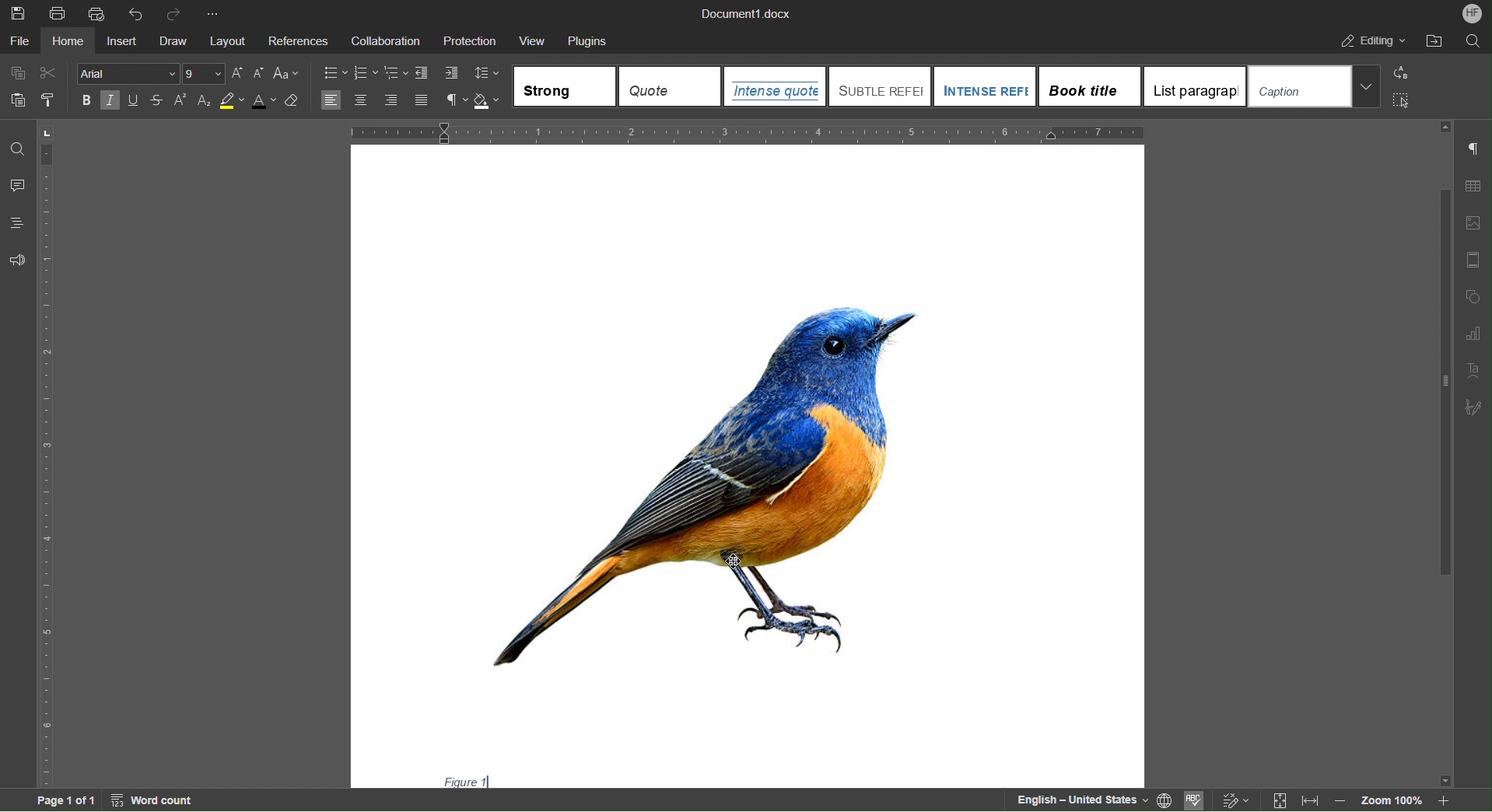 The image size is (1492, 812). Describe the element at coordinates (334, 72) in the screenshot. I see `Bullet List` at that location.